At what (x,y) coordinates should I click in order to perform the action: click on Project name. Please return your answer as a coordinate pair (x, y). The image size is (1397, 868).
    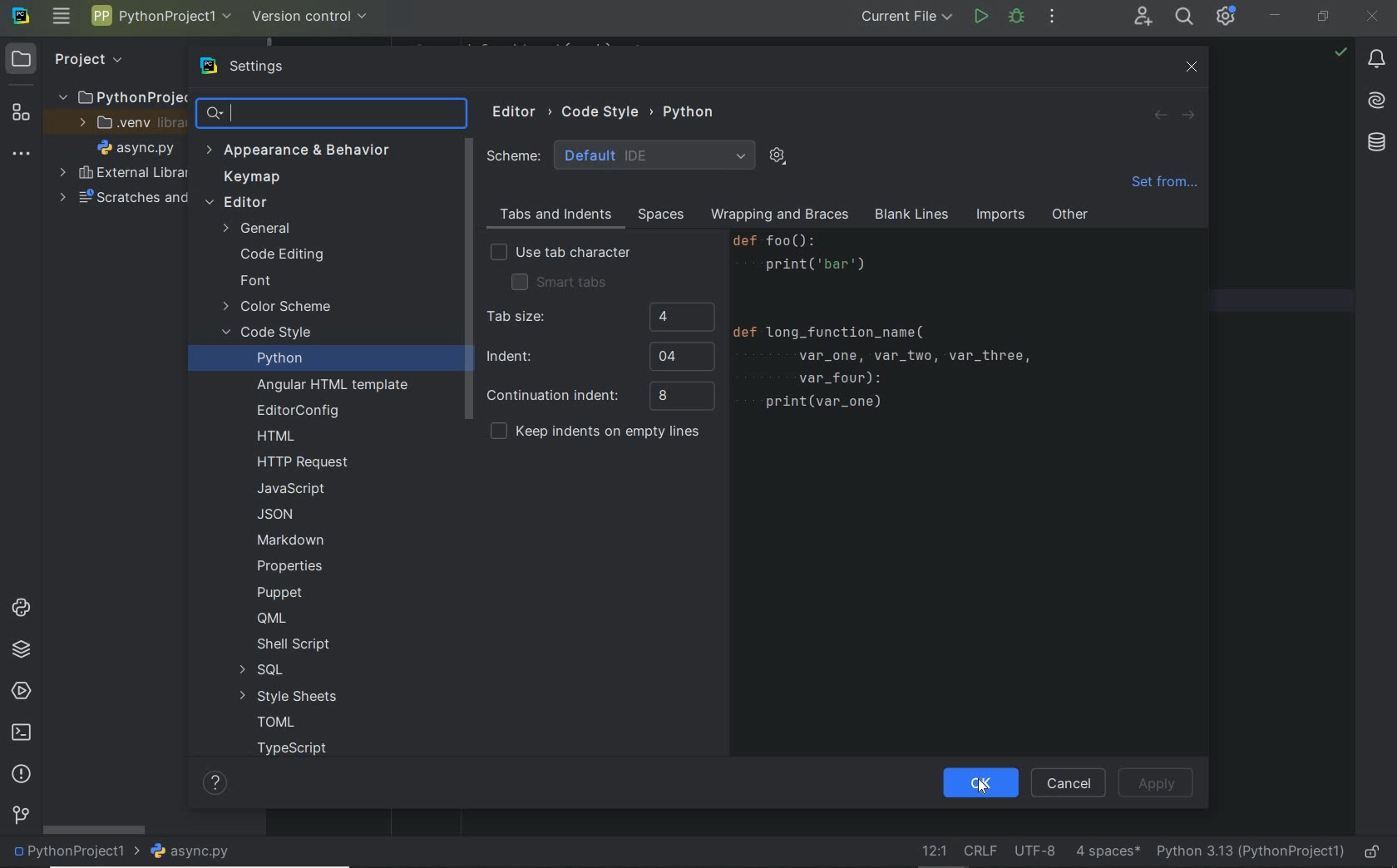
    Looking at the image, I should click on (159, 18).